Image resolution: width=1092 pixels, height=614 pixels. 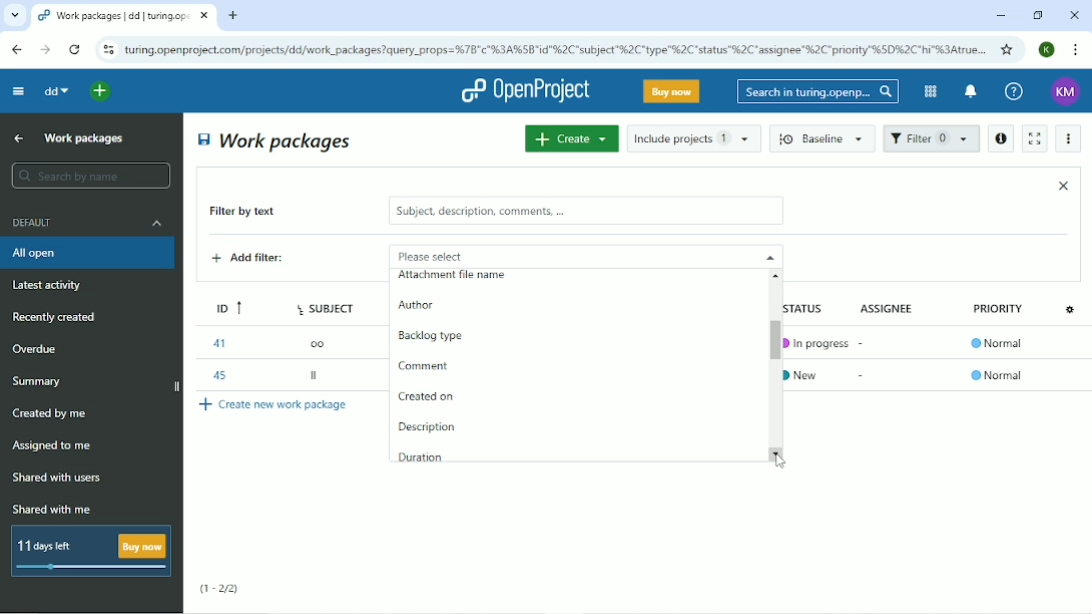 I want to click on New, so click(x=808, y=373).